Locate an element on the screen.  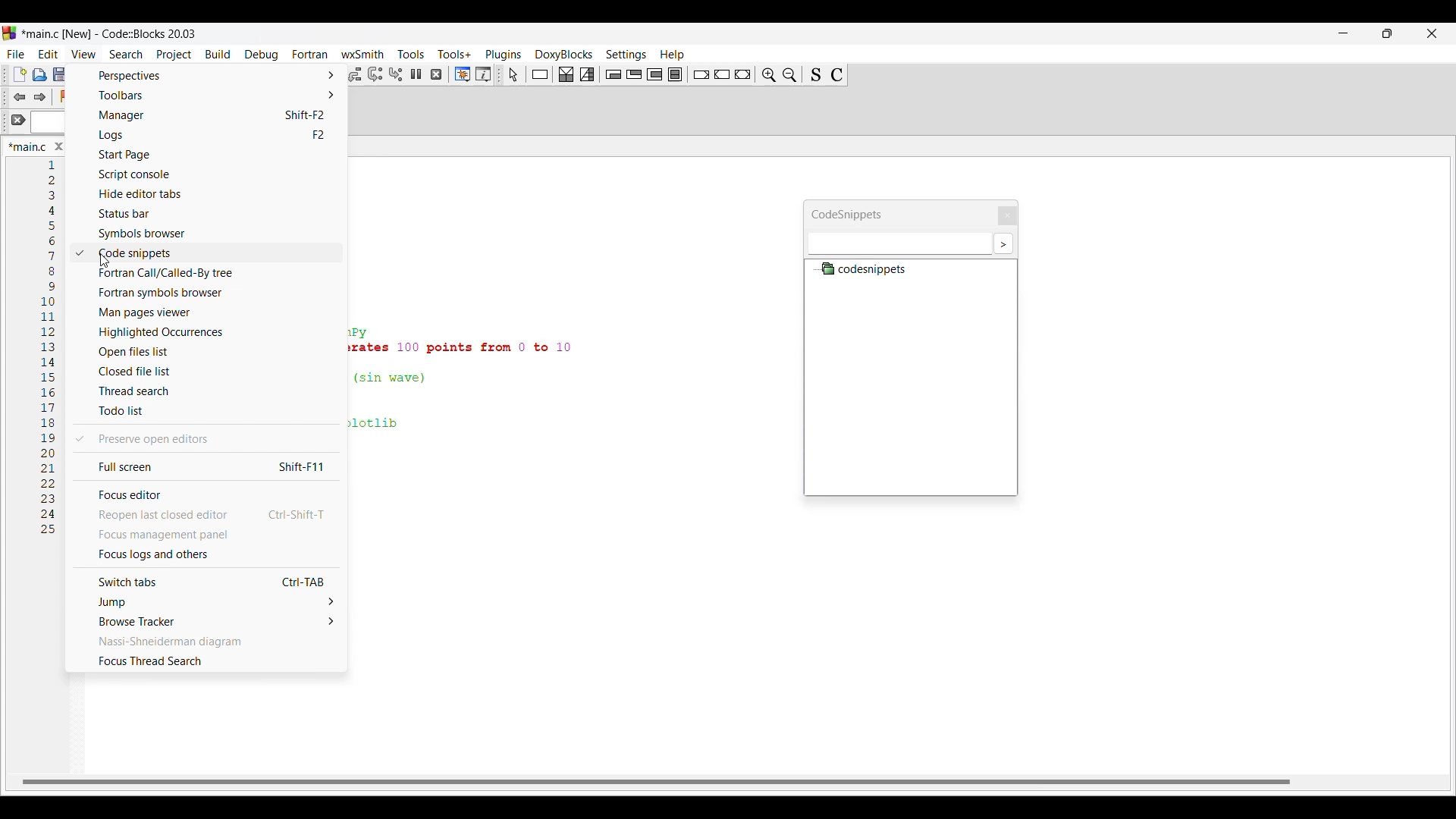
Save is located at coordinates (60, 74).